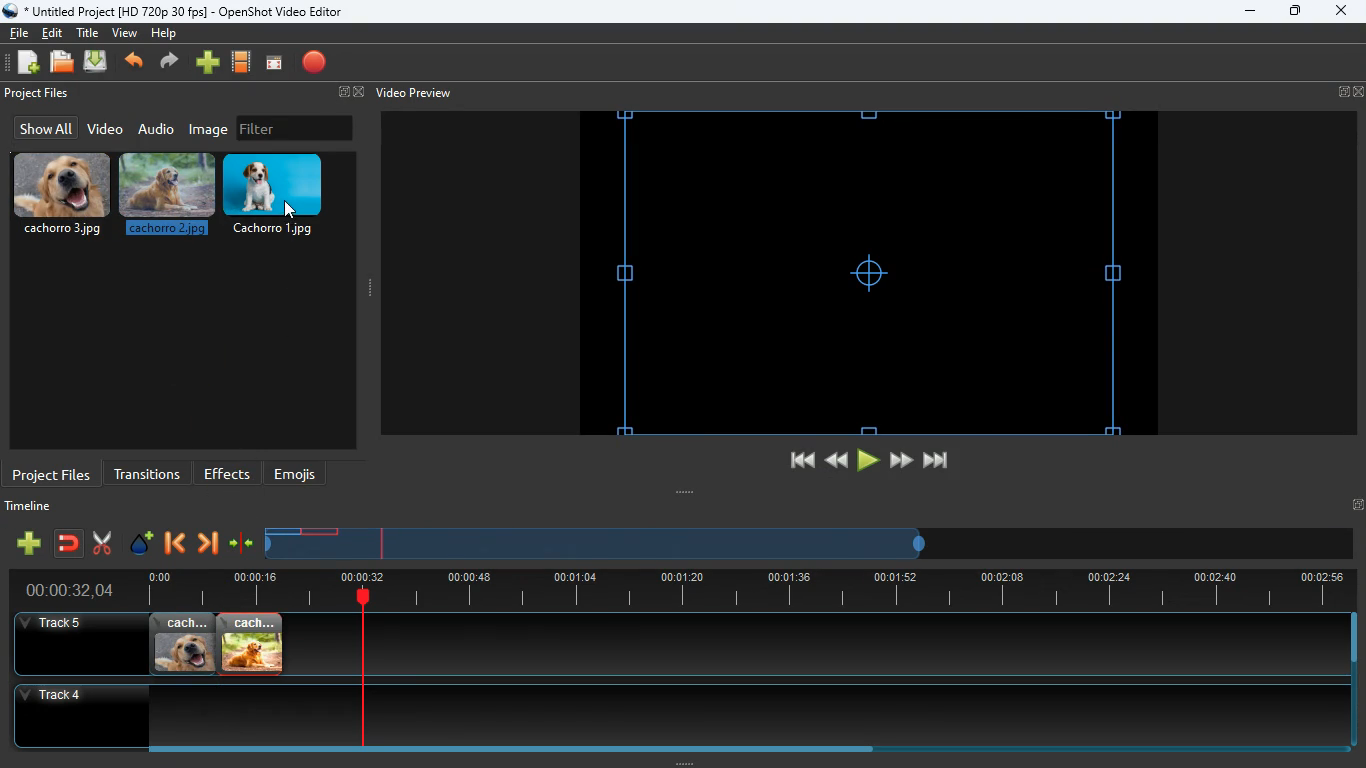 Image resolution: width=1366 pixels, height=768 pixels. Describe the element at coordinates (30, 65) in the screenshot. I see `add files` at that location.